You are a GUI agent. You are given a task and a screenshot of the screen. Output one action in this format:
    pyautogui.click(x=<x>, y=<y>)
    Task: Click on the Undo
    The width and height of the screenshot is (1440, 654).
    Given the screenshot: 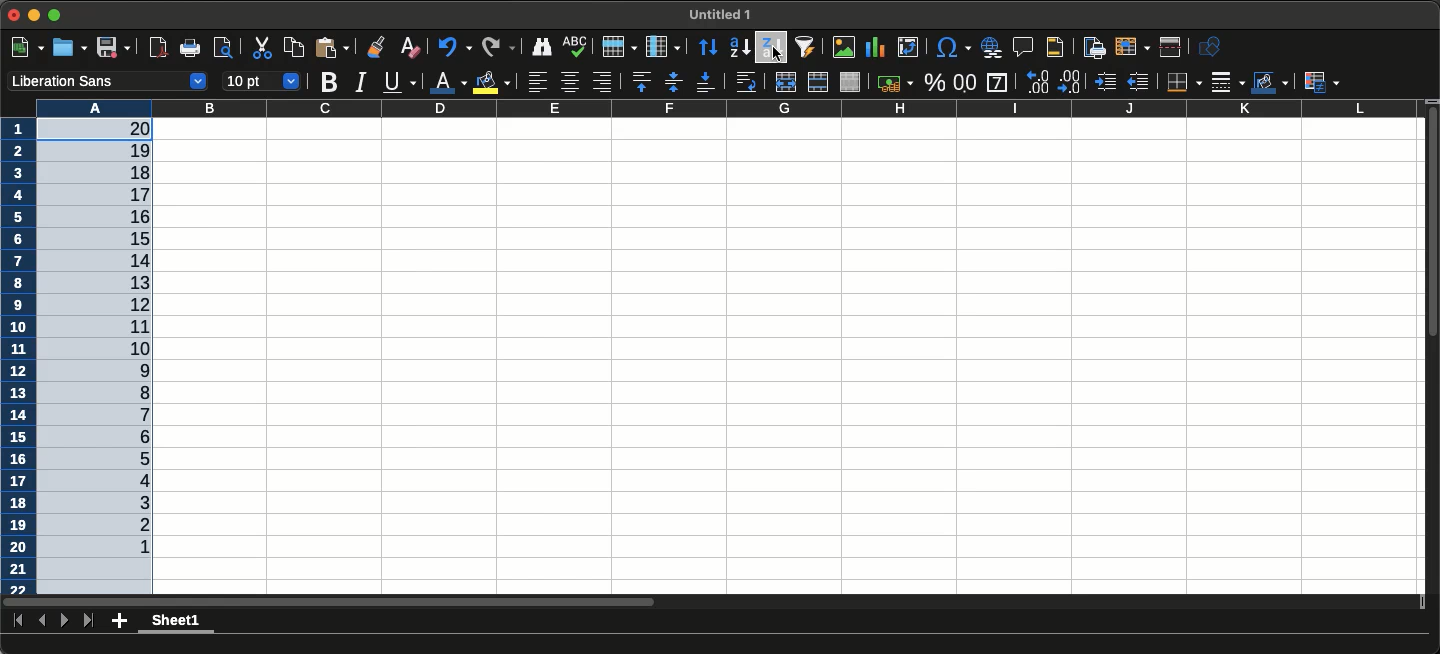 What is the action you would take?
    pyautogui.click(x=455, y=46)
    